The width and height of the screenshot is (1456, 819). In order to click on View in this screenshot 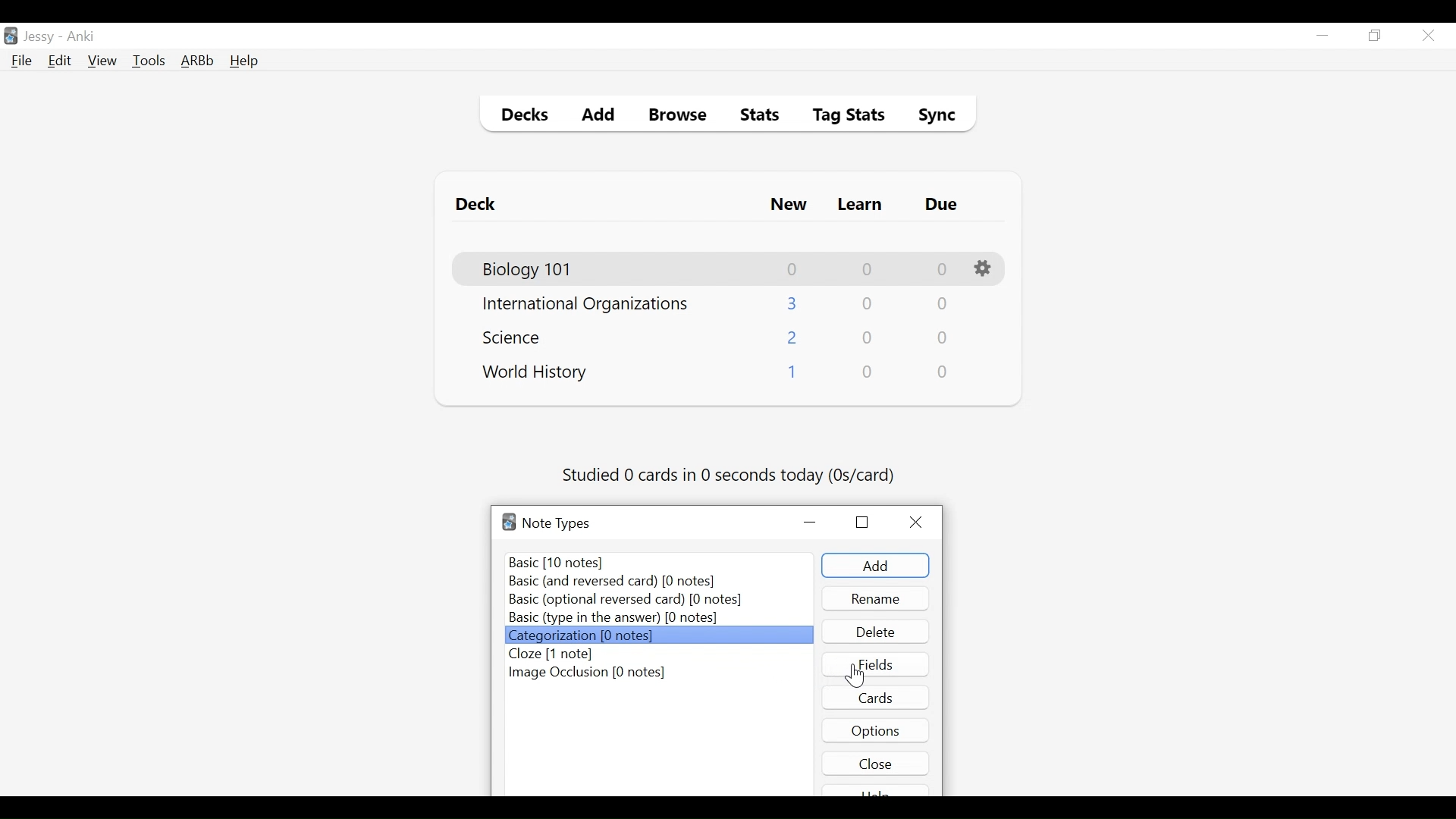, I will do `click(103, 61)`.